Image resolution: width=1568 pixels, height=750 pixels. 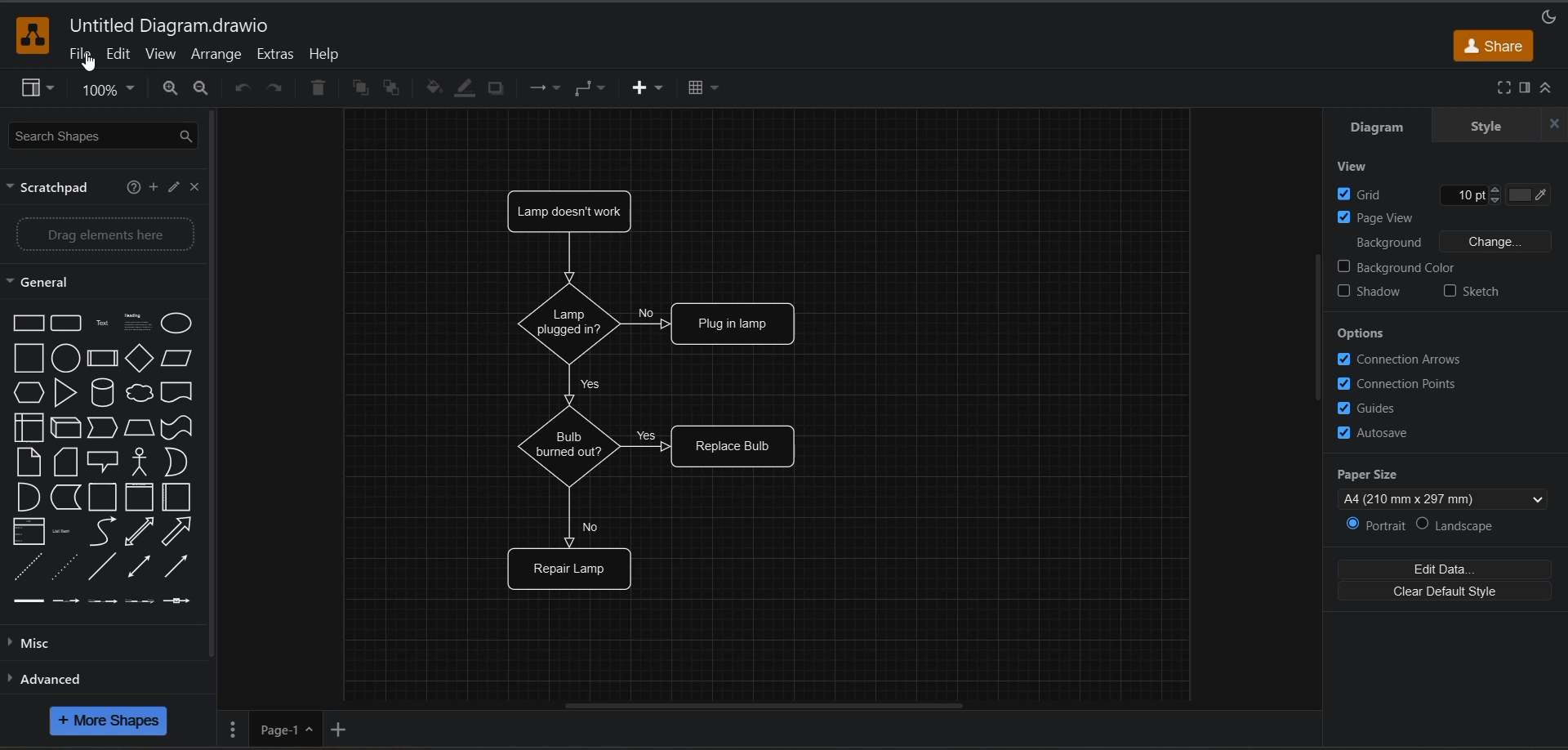 What do you see at coordinates (327, 55) in the screenshot?
I see `help` at bounding box center [327, 55].